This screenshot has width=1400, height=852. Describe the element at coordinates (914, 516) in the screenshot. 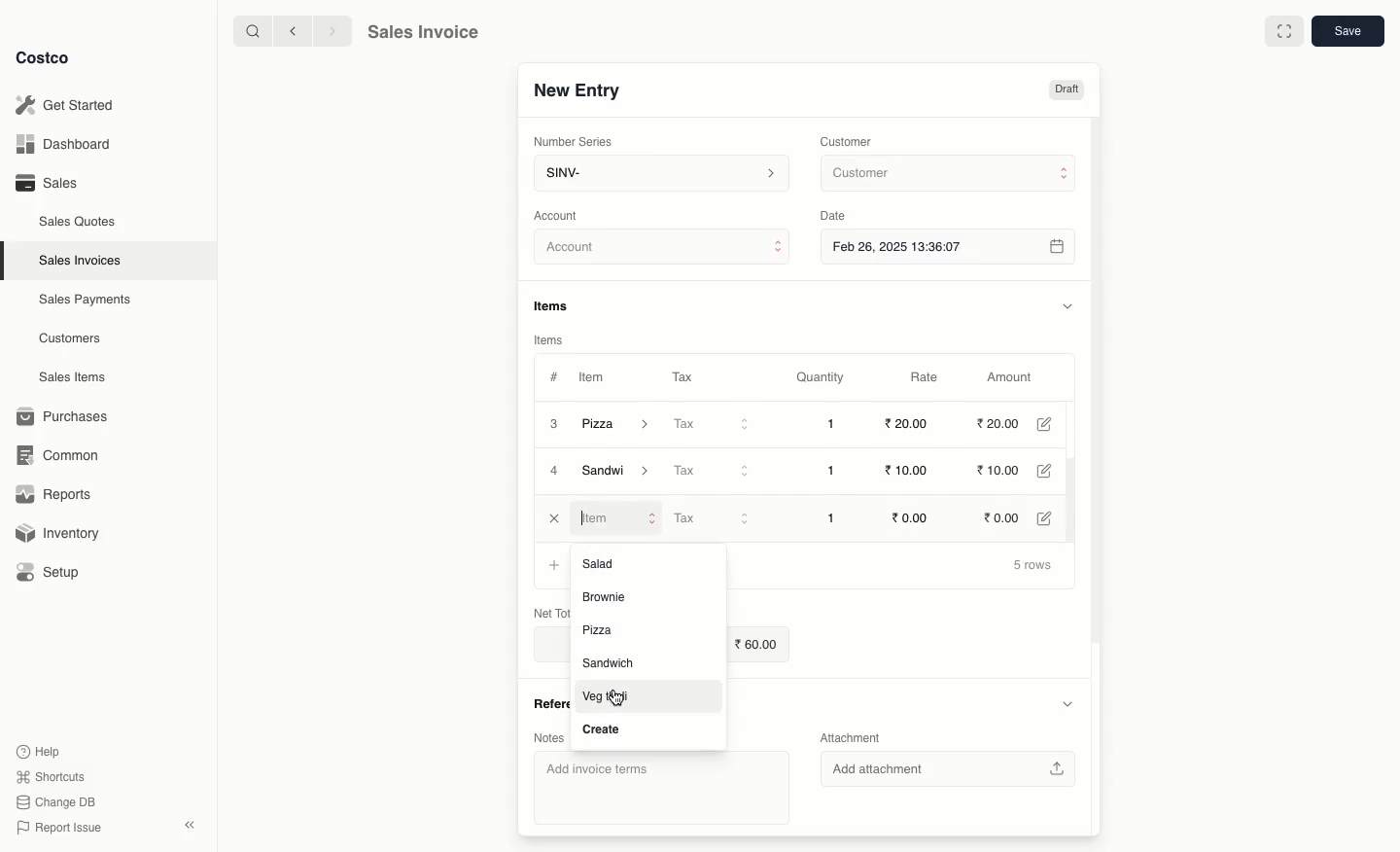

I see `0.00` at that location.